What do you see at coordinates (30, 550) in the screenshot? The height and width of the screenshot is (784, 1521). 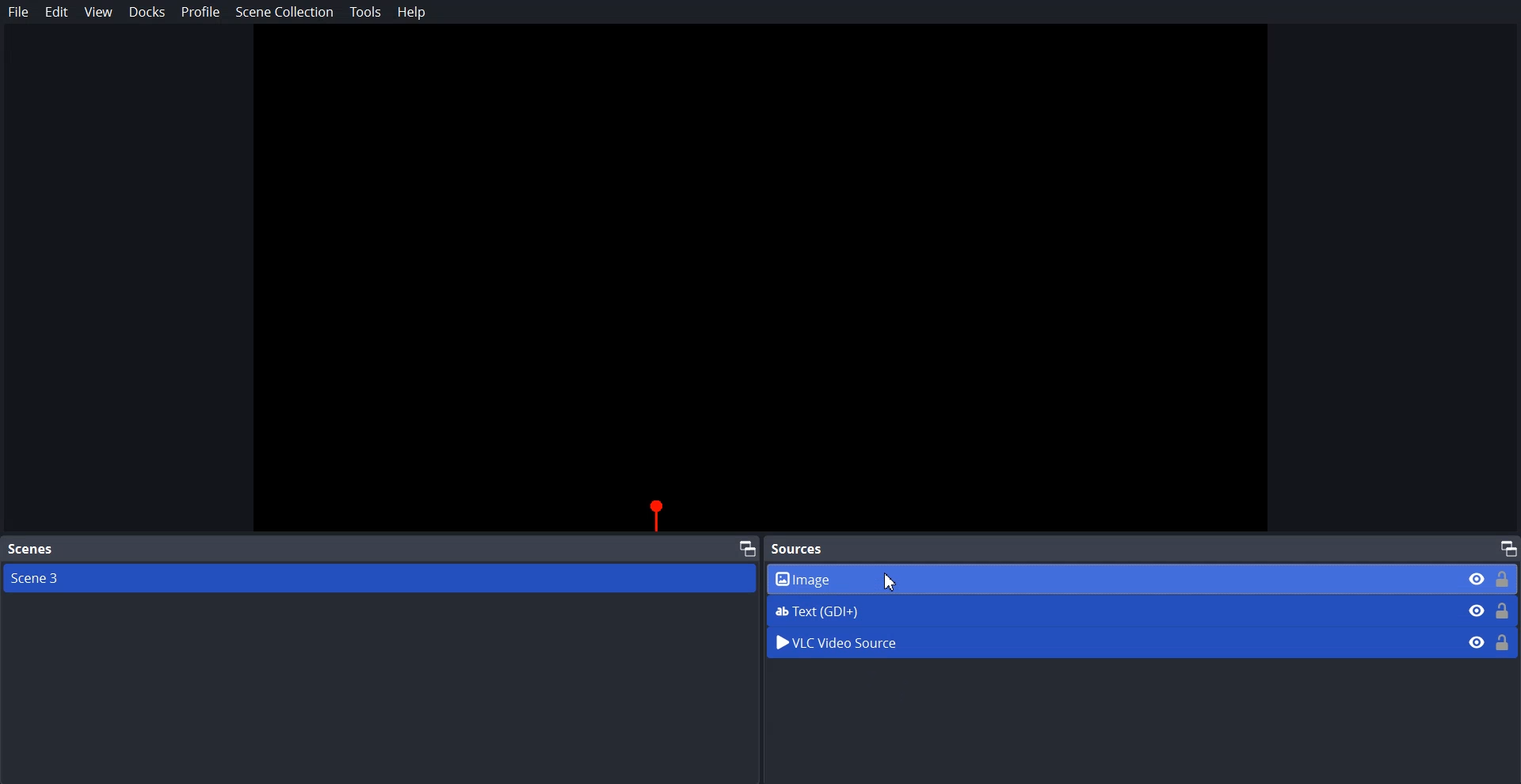 I see `Scenes` at bounding box center [30, 550].